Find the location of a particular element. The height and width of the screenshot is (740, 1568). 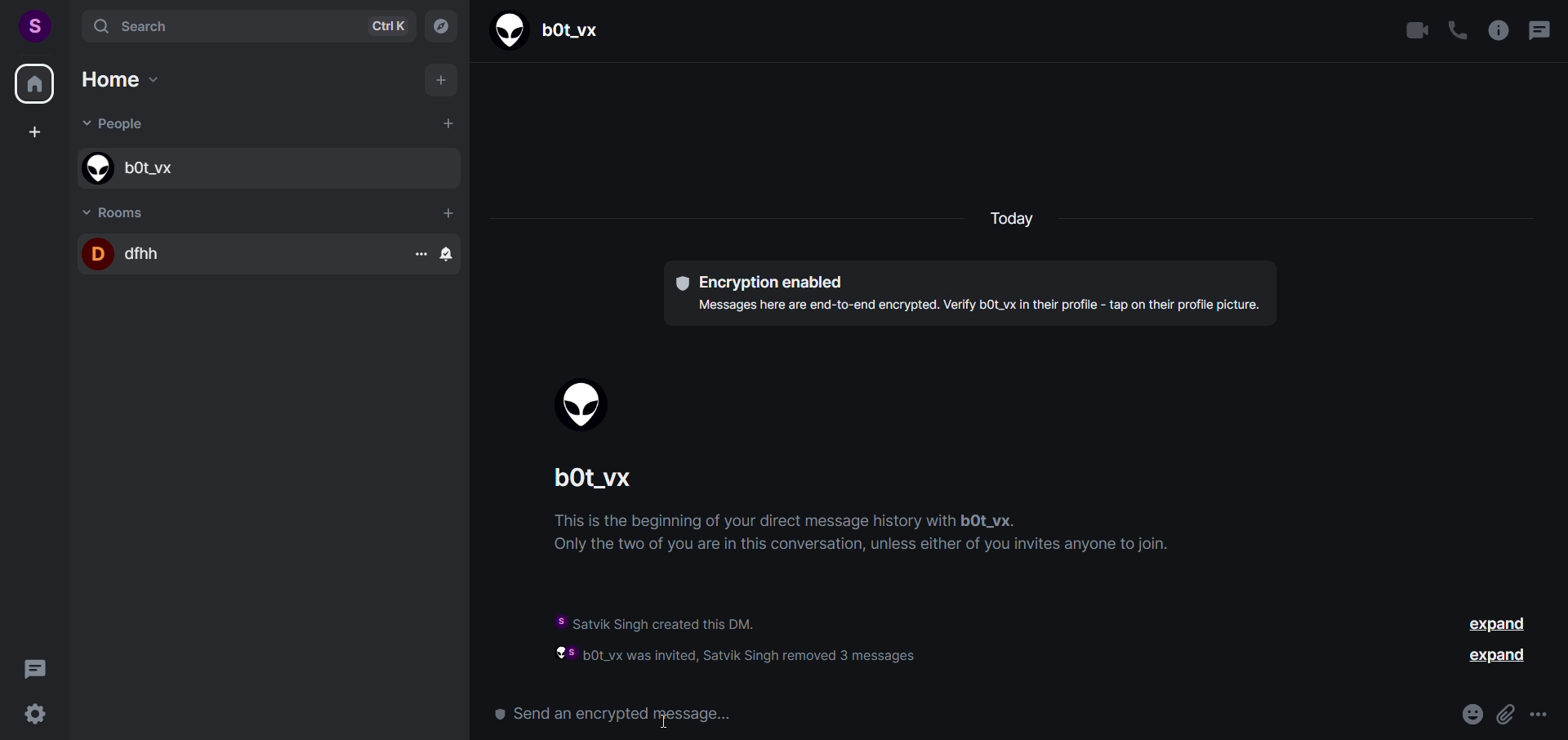

home is located at coordinates (34, 87).